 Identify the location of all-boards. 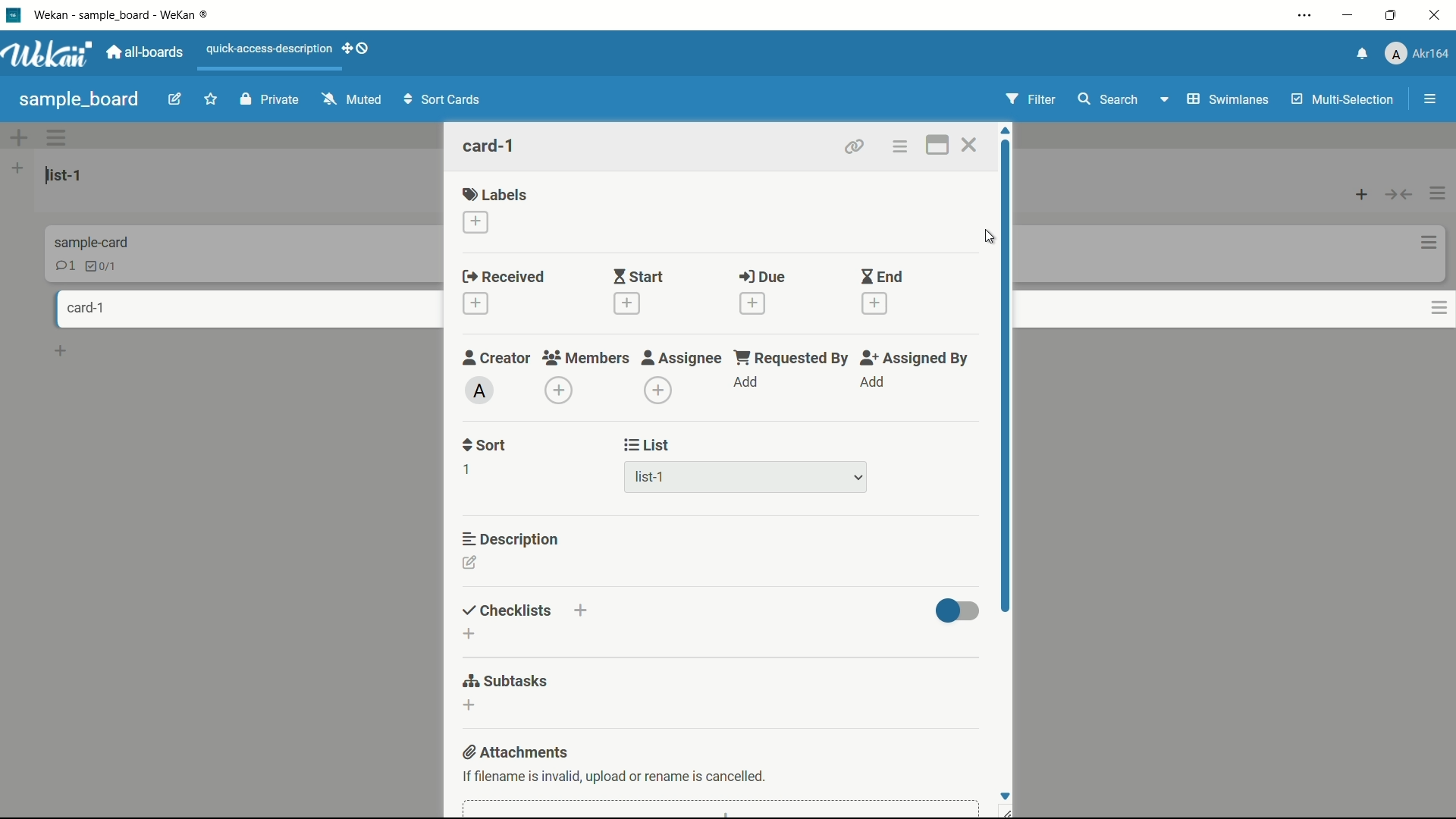
(145, 53).